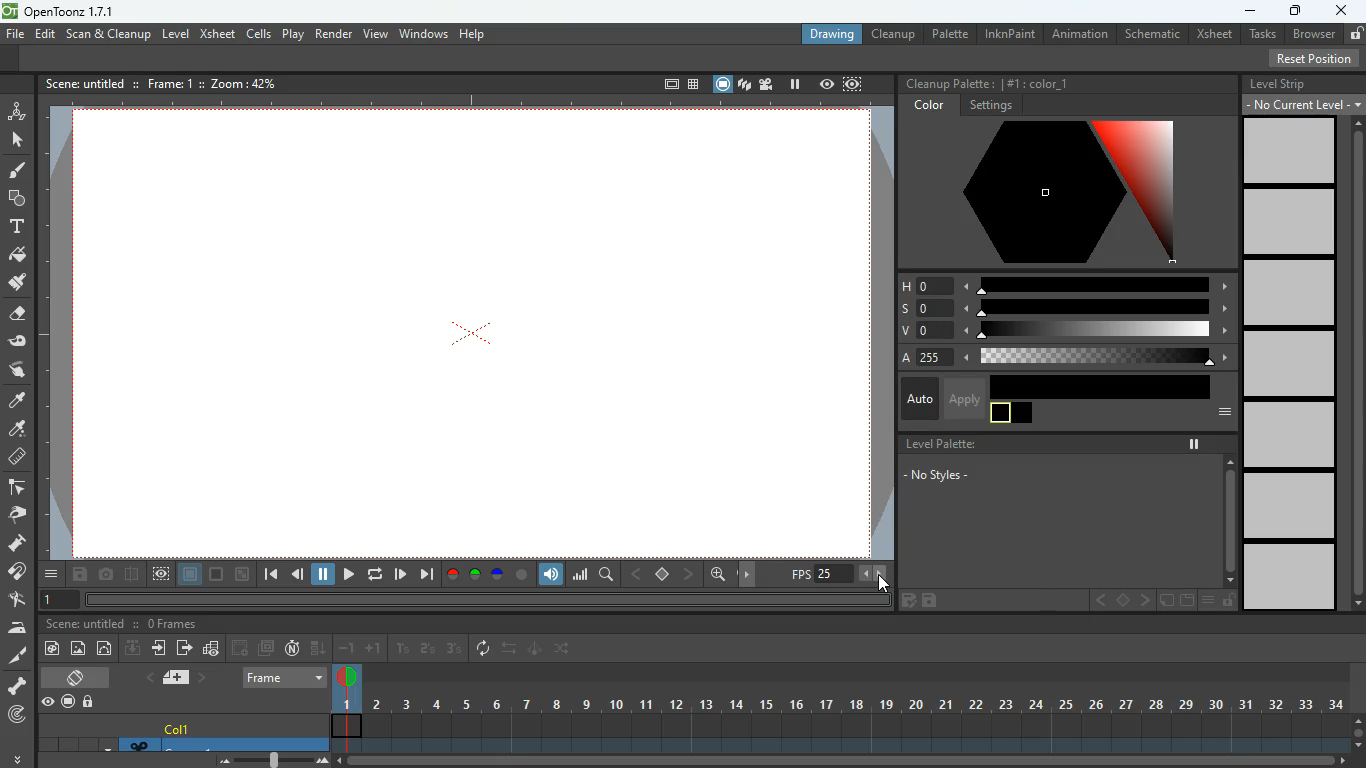 Image resolution: width=1366 pixels, height=768 pixels. I want to click on graph, so click(583, 577).